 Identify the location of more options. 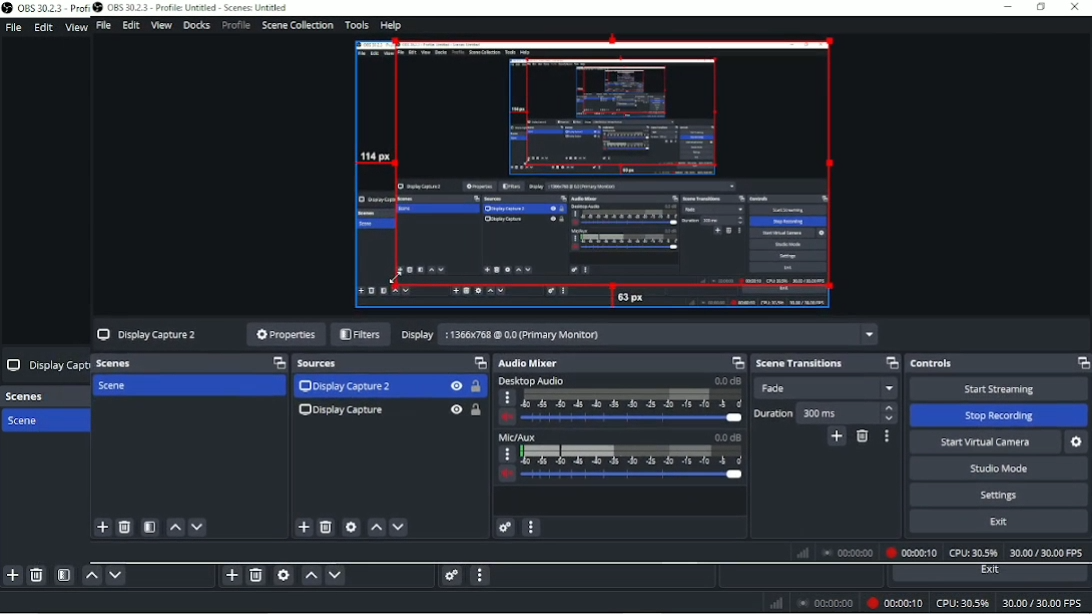
(508, 400).